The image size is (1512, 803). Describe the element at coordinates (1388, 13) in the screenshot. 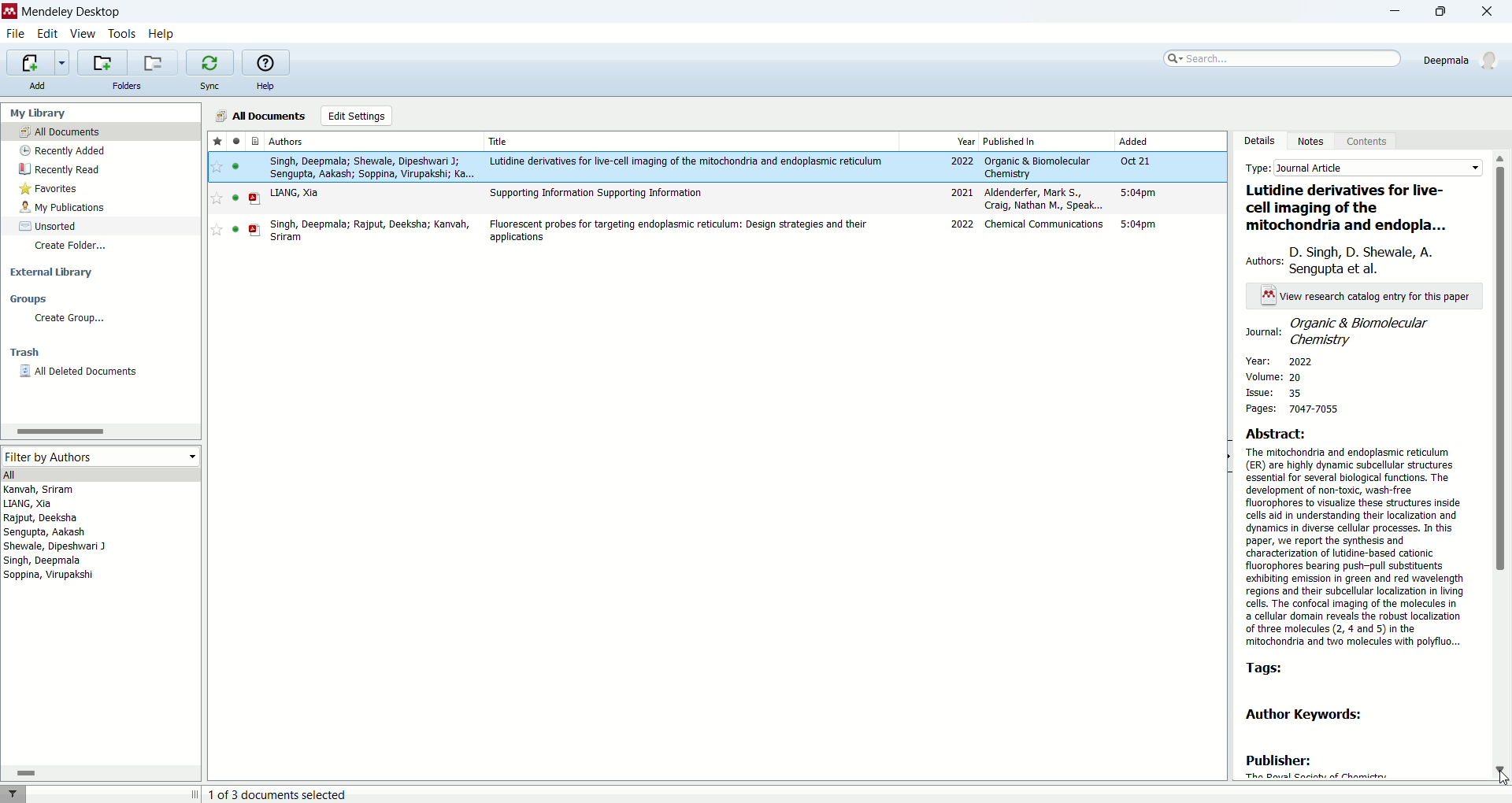

I see `minimize` at that location.